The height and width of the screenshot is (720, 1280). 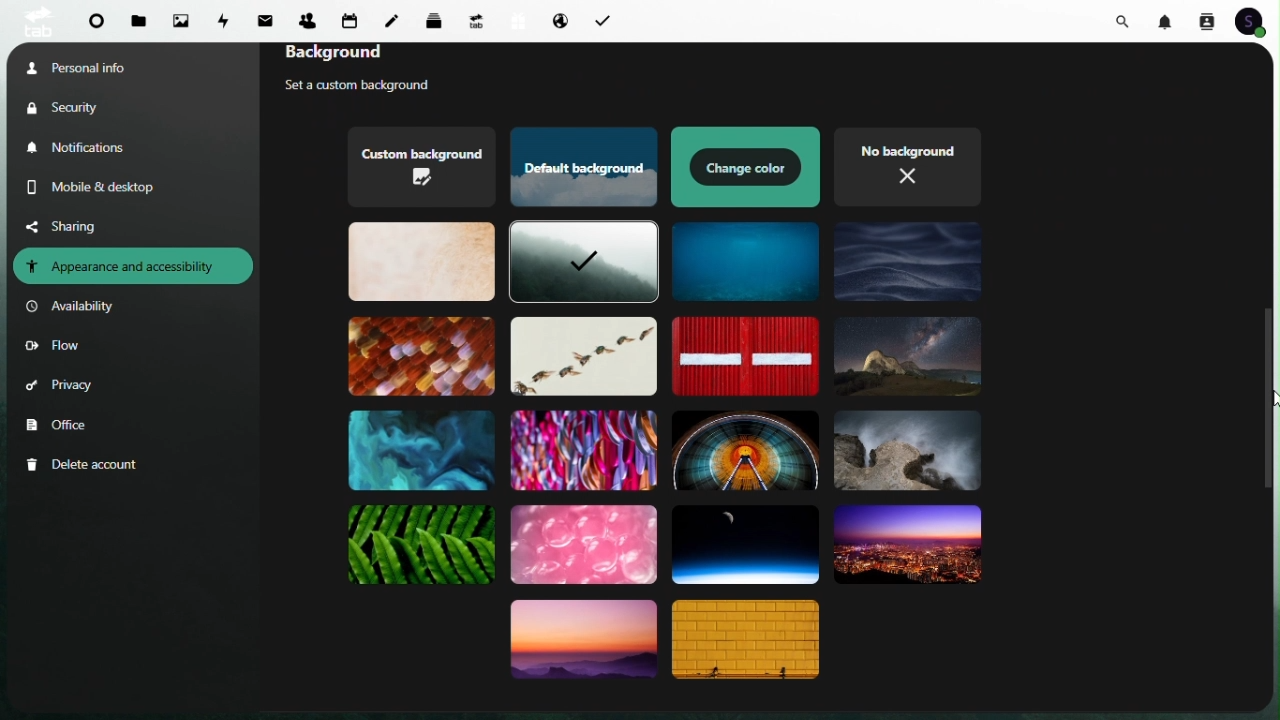 I want to click on Notes, so click(x=397, y=16).